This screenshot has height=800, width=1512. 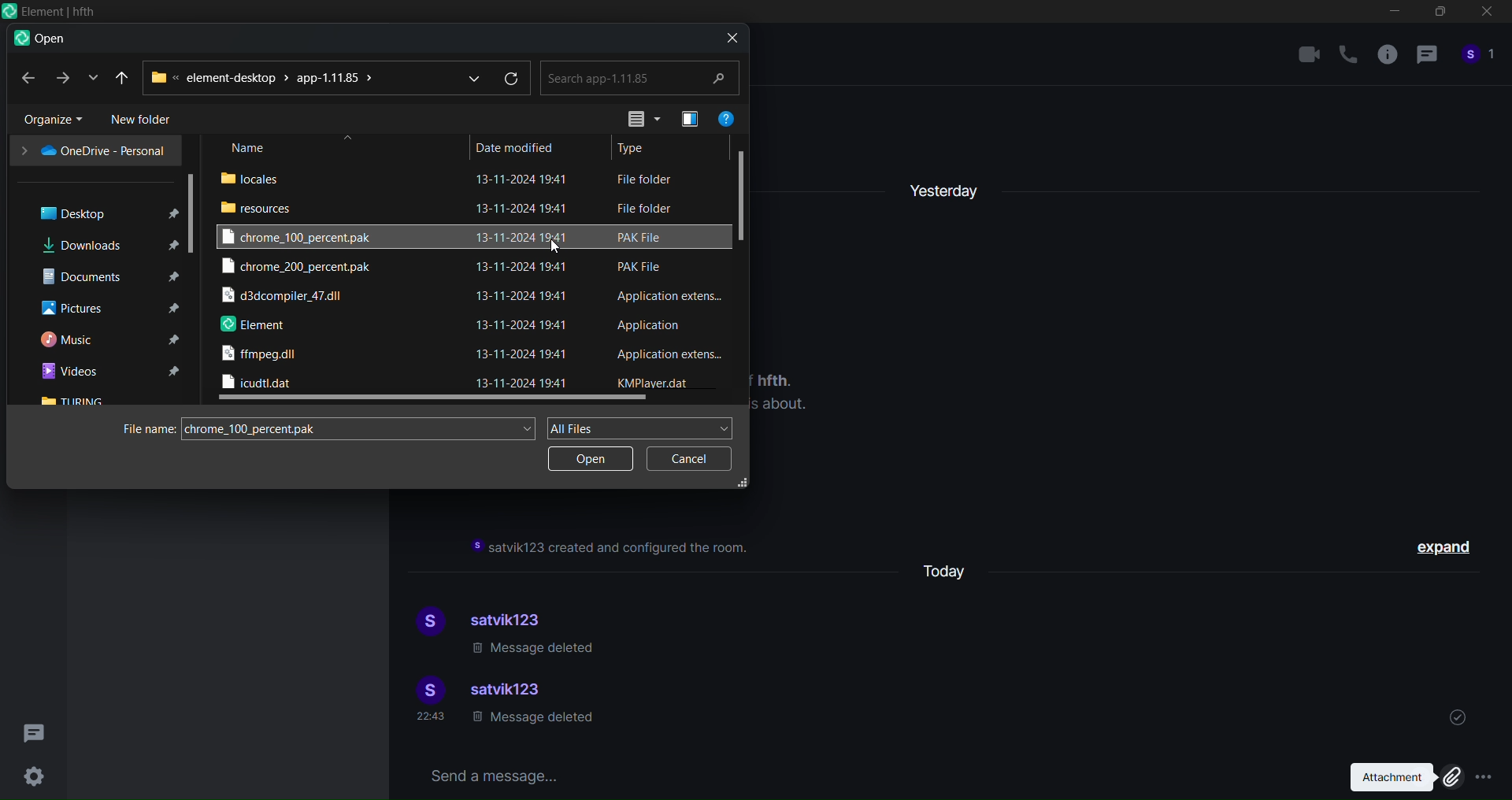 I want to click on display picture, so click(x=426, y=623).